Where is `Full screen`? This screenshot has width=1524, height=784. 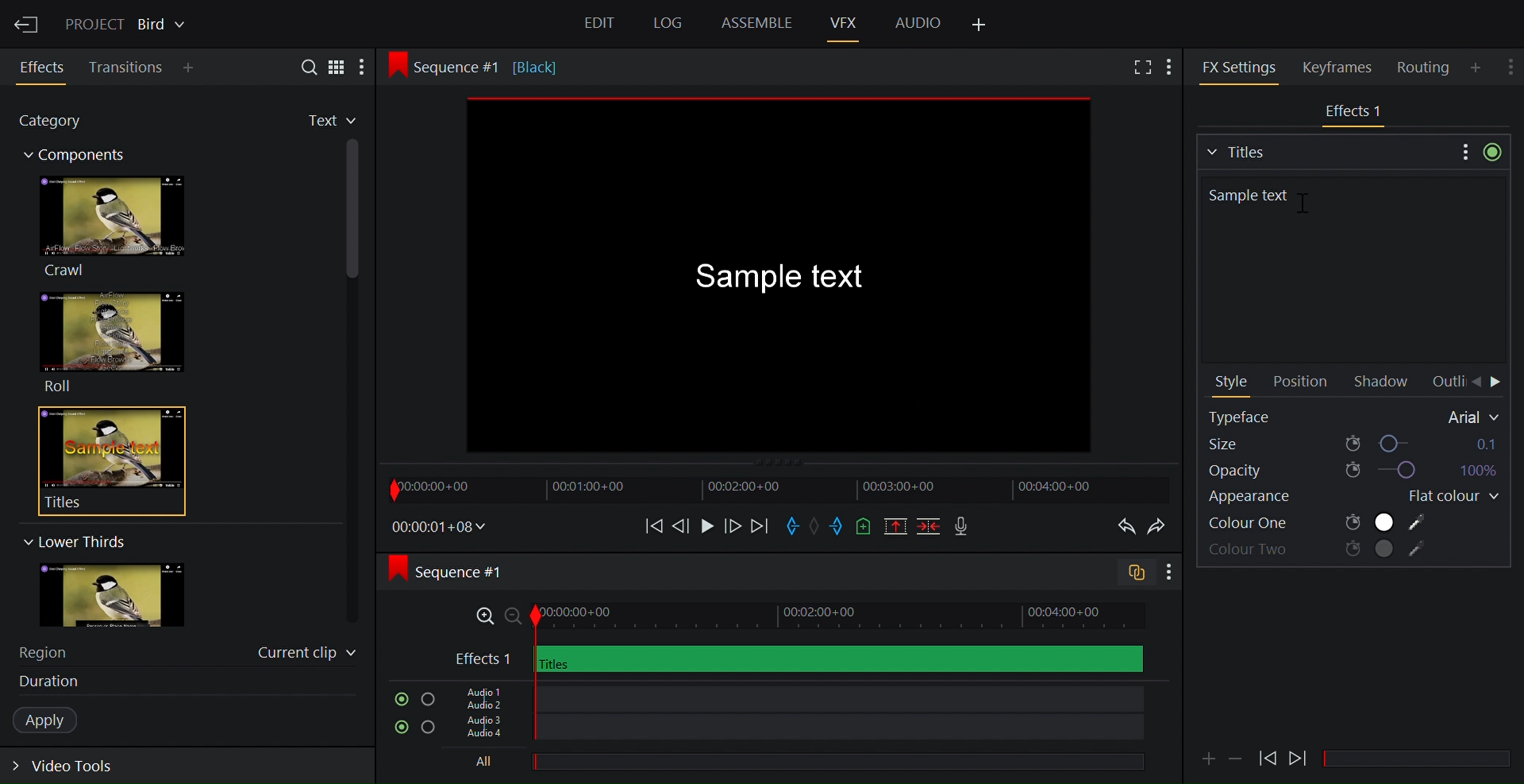
Full screen is located at coordinates (1140, 68).